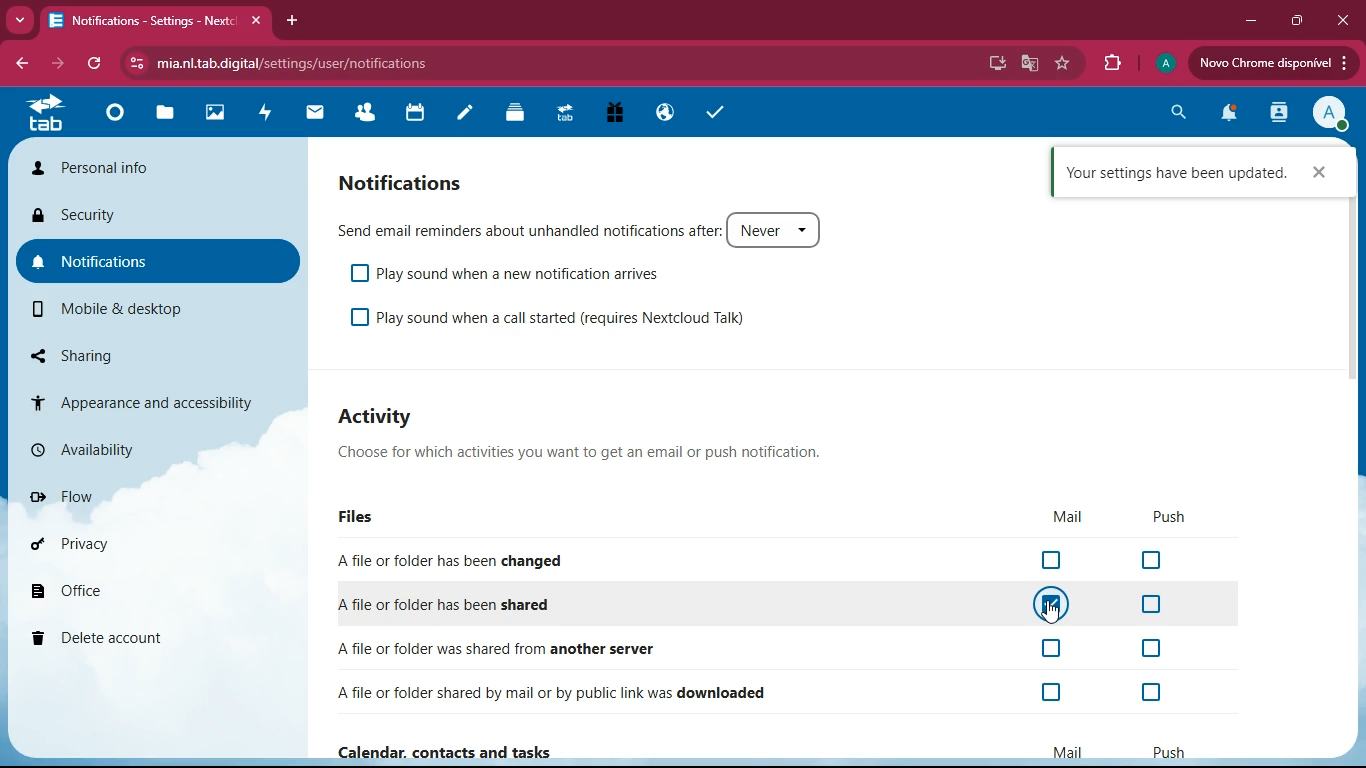 The image size is (1366, 768). Describe the element at coordinates (1272, 63) in the screenshot. I see `update` at that location.